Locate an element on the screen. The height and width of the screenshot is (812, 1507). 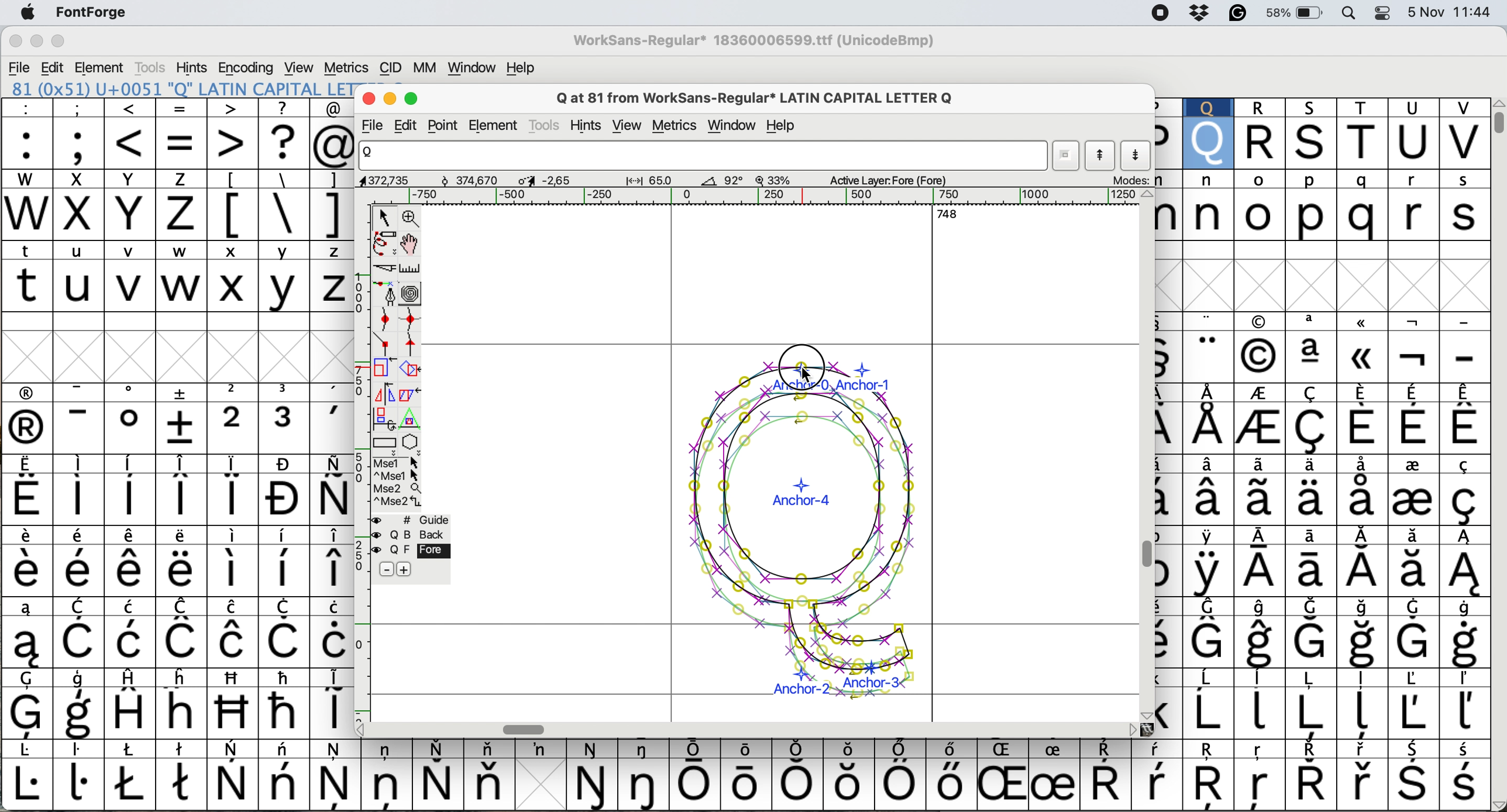
control center is located at coordinates (1383, 14).